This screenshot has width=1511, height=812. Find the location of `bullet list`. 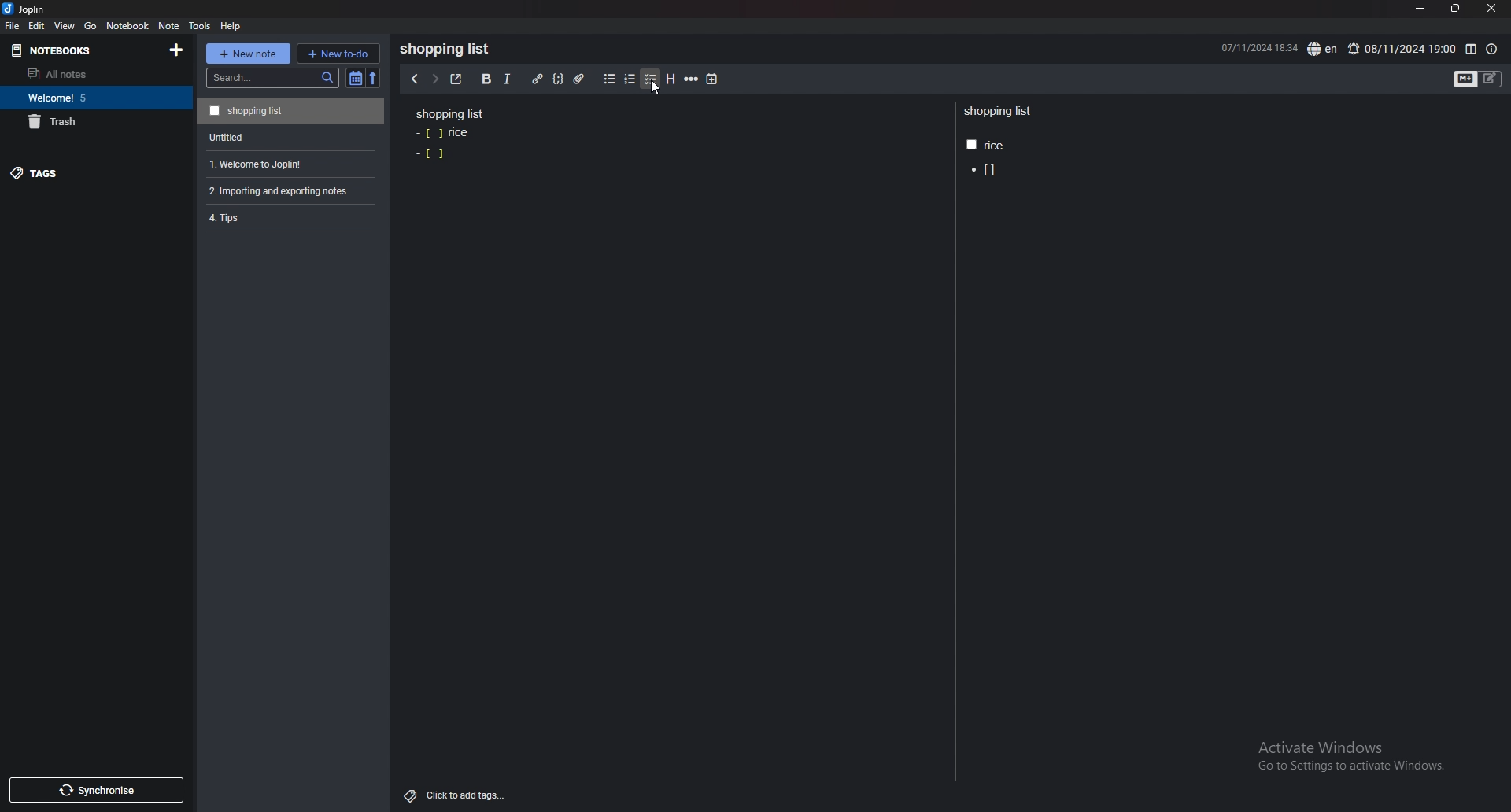

bullet list is located at coordinates (609, 79).